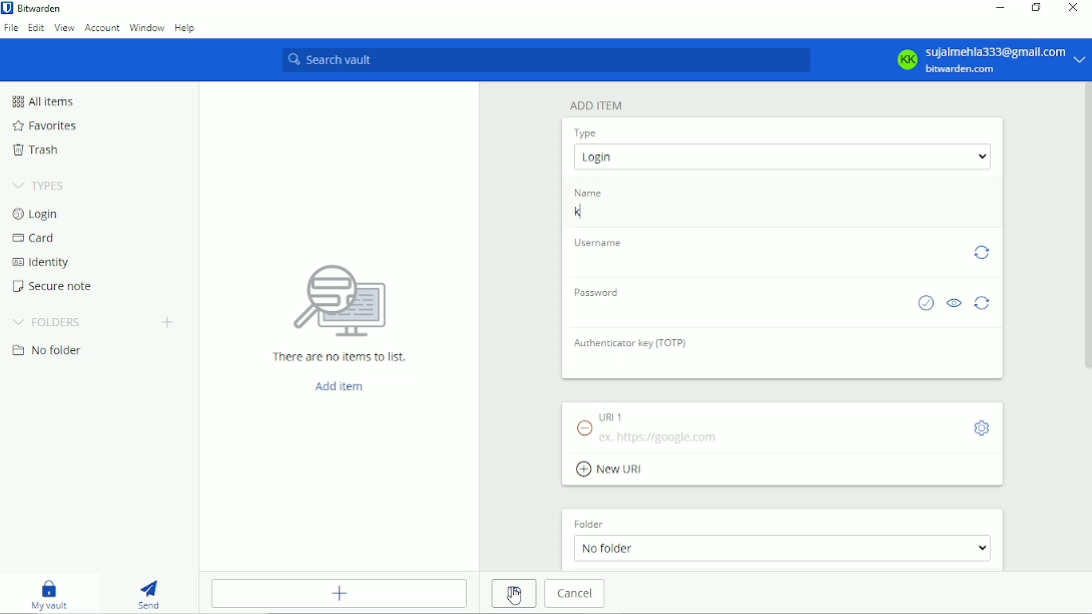  Describe the element at coordinates (545, 61) in the screenshot. I see `Search vault` at that location.